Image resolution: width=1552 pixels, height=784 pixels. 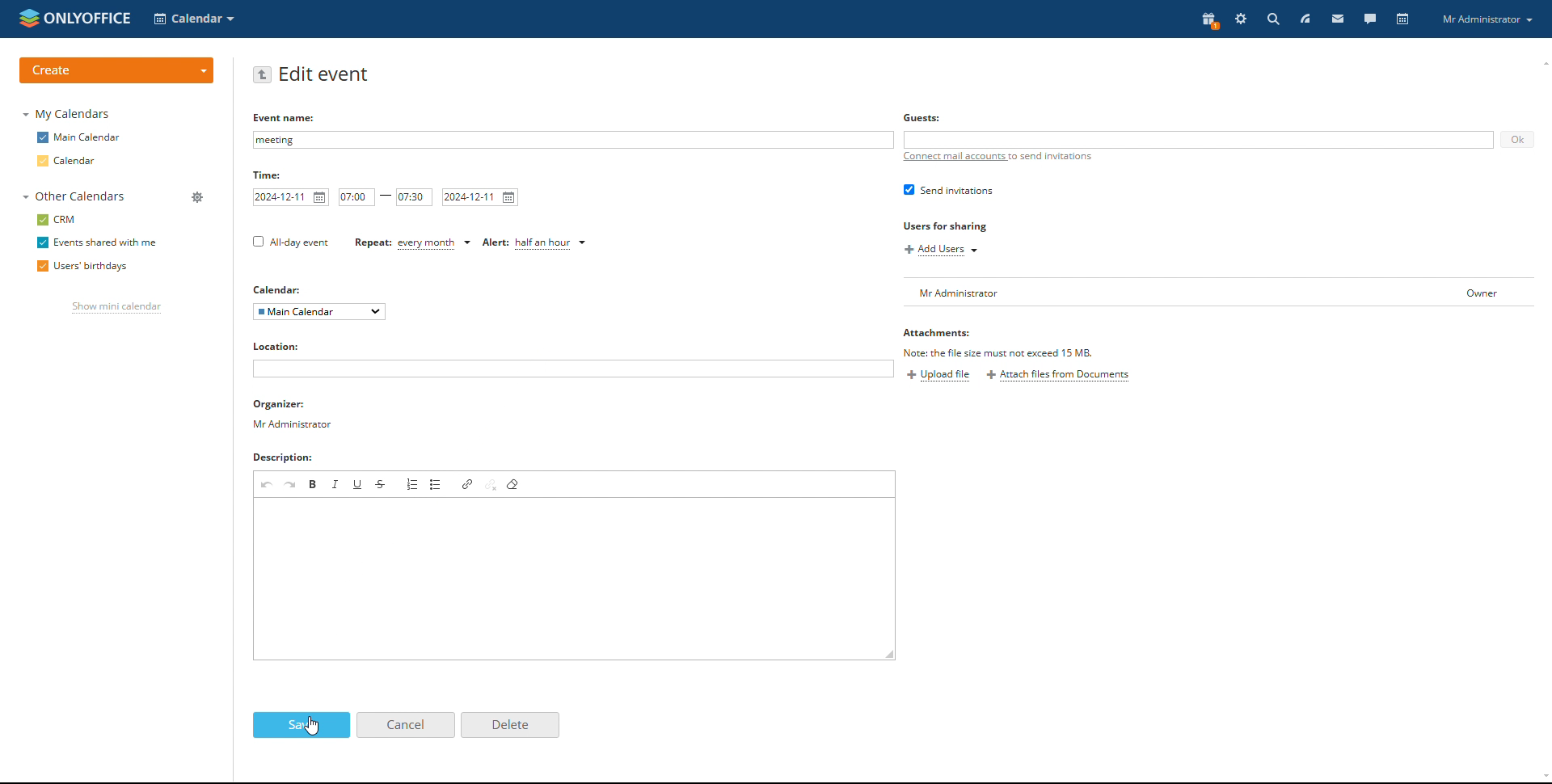 I want to click on undo, so click(x=266, y=483).